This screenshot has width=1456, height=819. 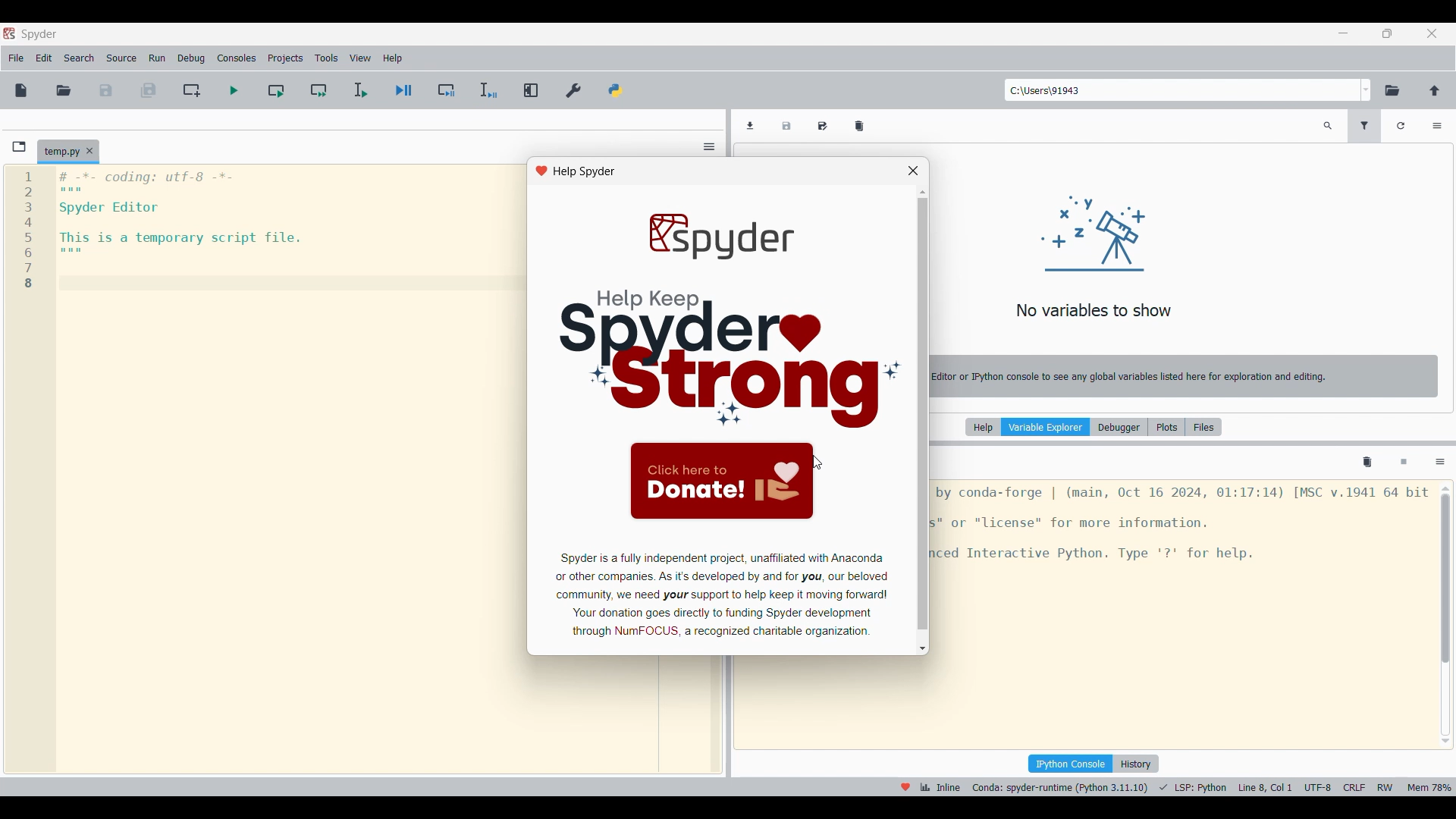 I want to click on ipython console pane, so click(x=1184, y=538).